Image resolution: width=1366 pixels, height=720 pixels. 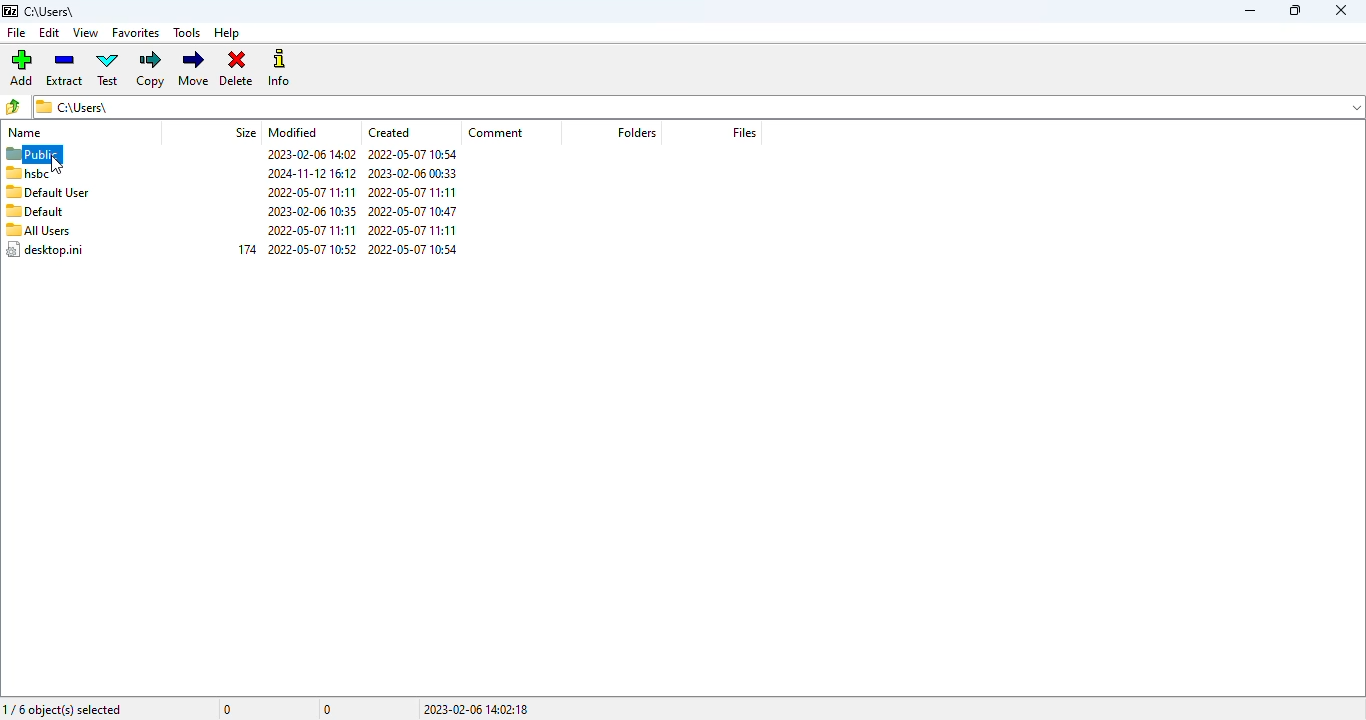 I want to click on edit, so click(x=50, y=33).